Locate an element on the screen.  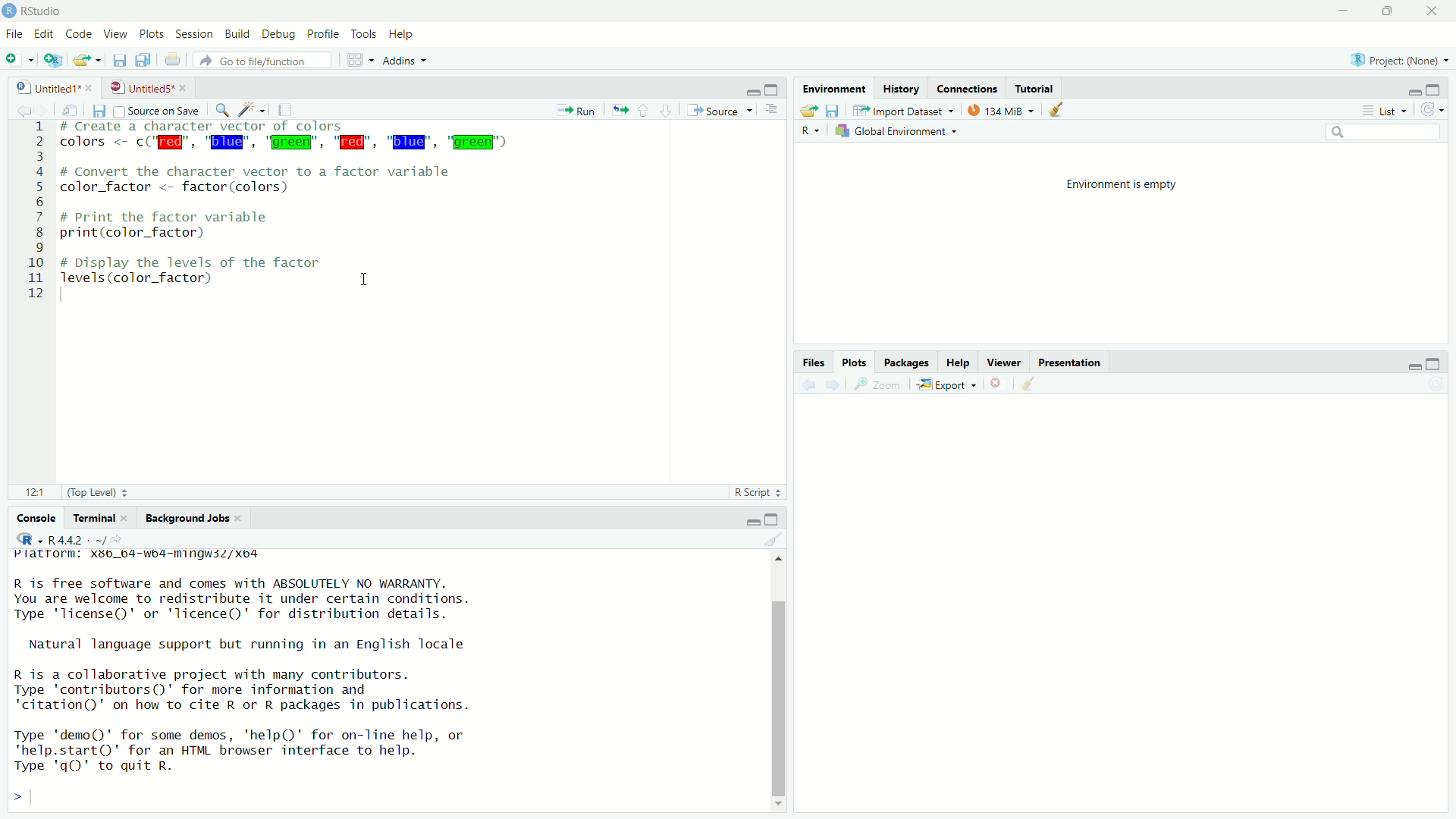
view is located at coordinates (115, 35).